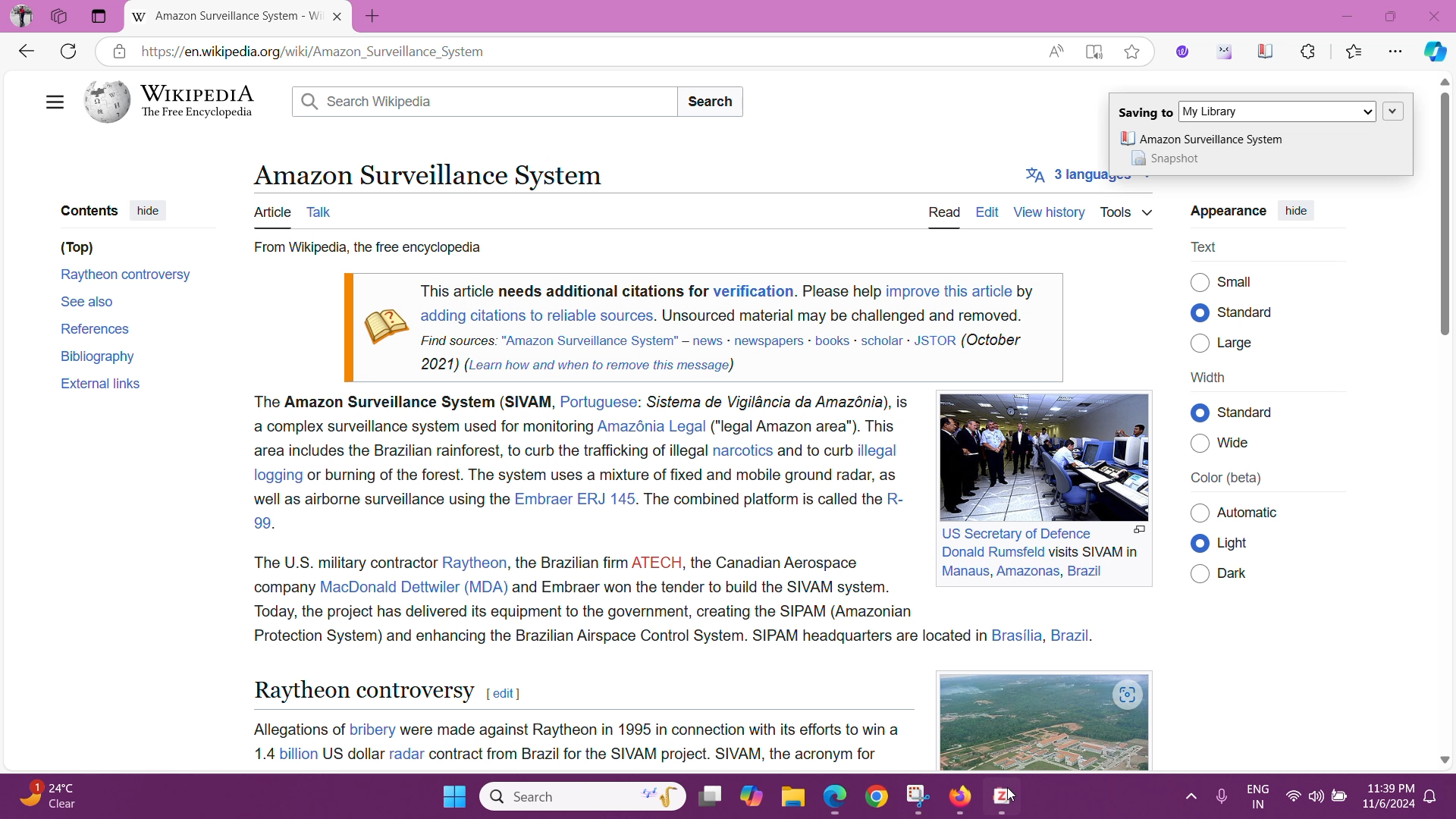 Image resolution: width=1456 pixels, height=819 pixels. What do you see at coordinates (118, 51) in the screenshot?
I see `View Site information` at bounding box center [118, 51].